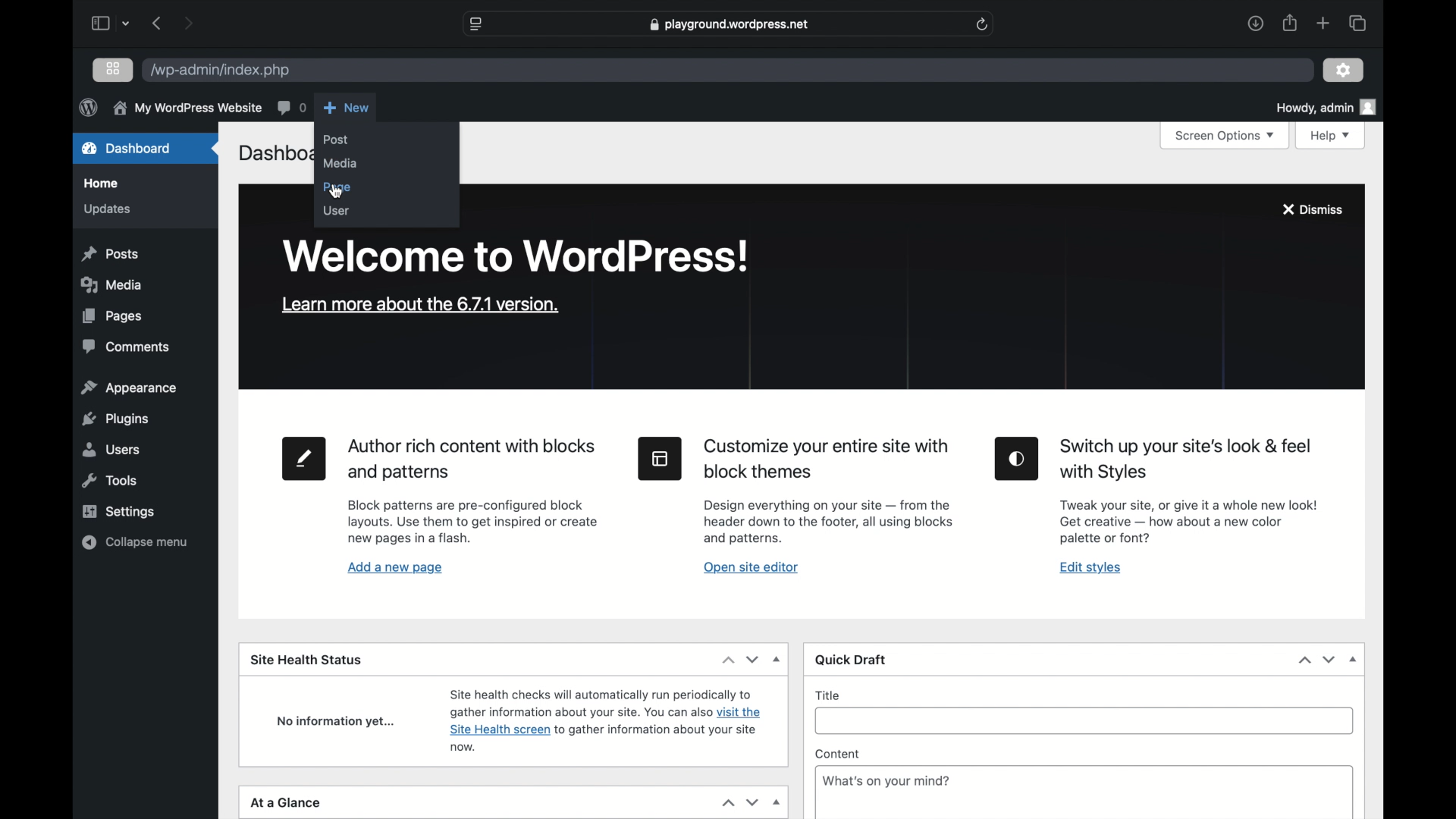 This screenshot has width=1456, height=819. I want to click on tools, so click(110, 481).